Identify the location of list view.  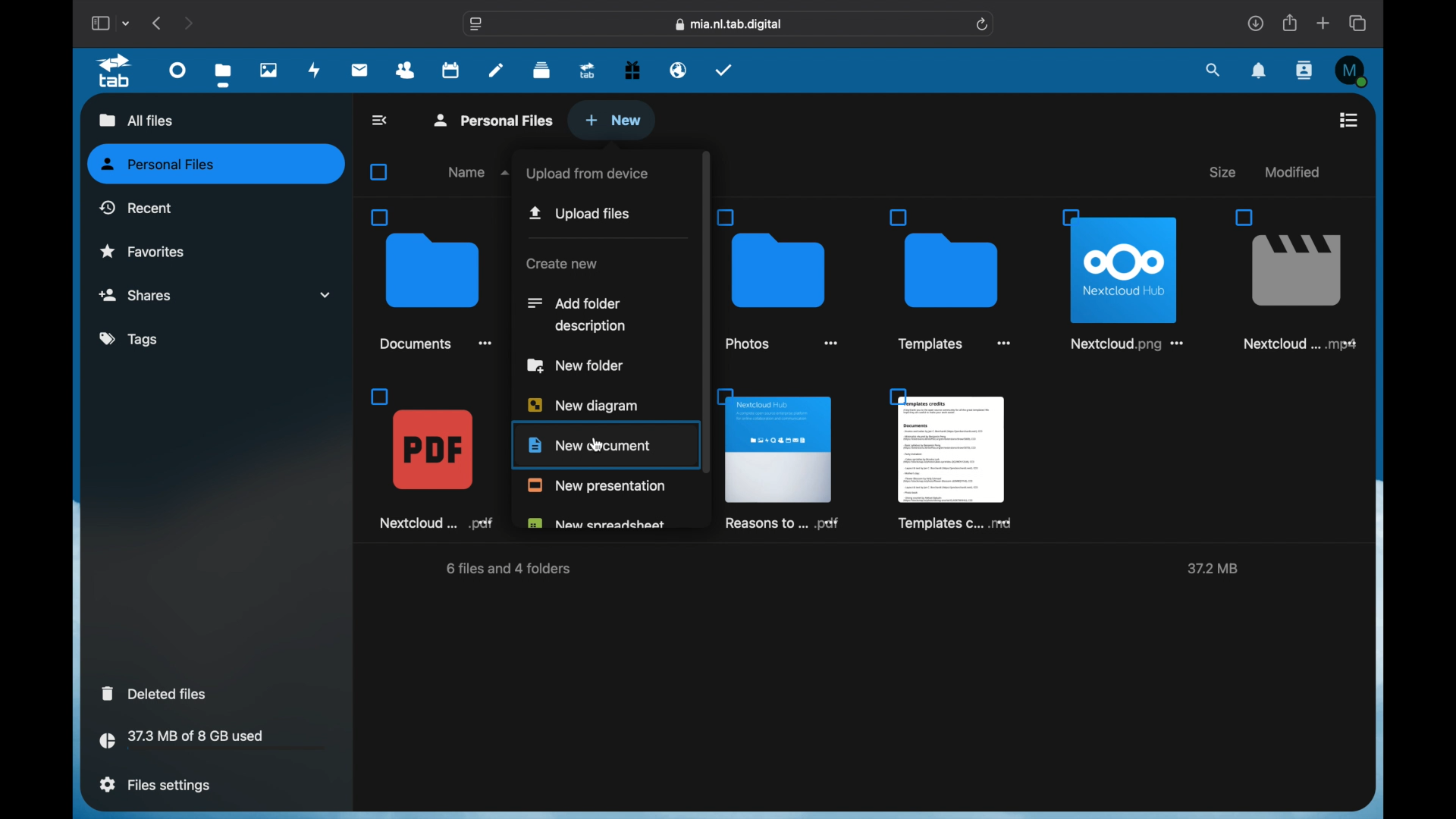
(1348, 120).